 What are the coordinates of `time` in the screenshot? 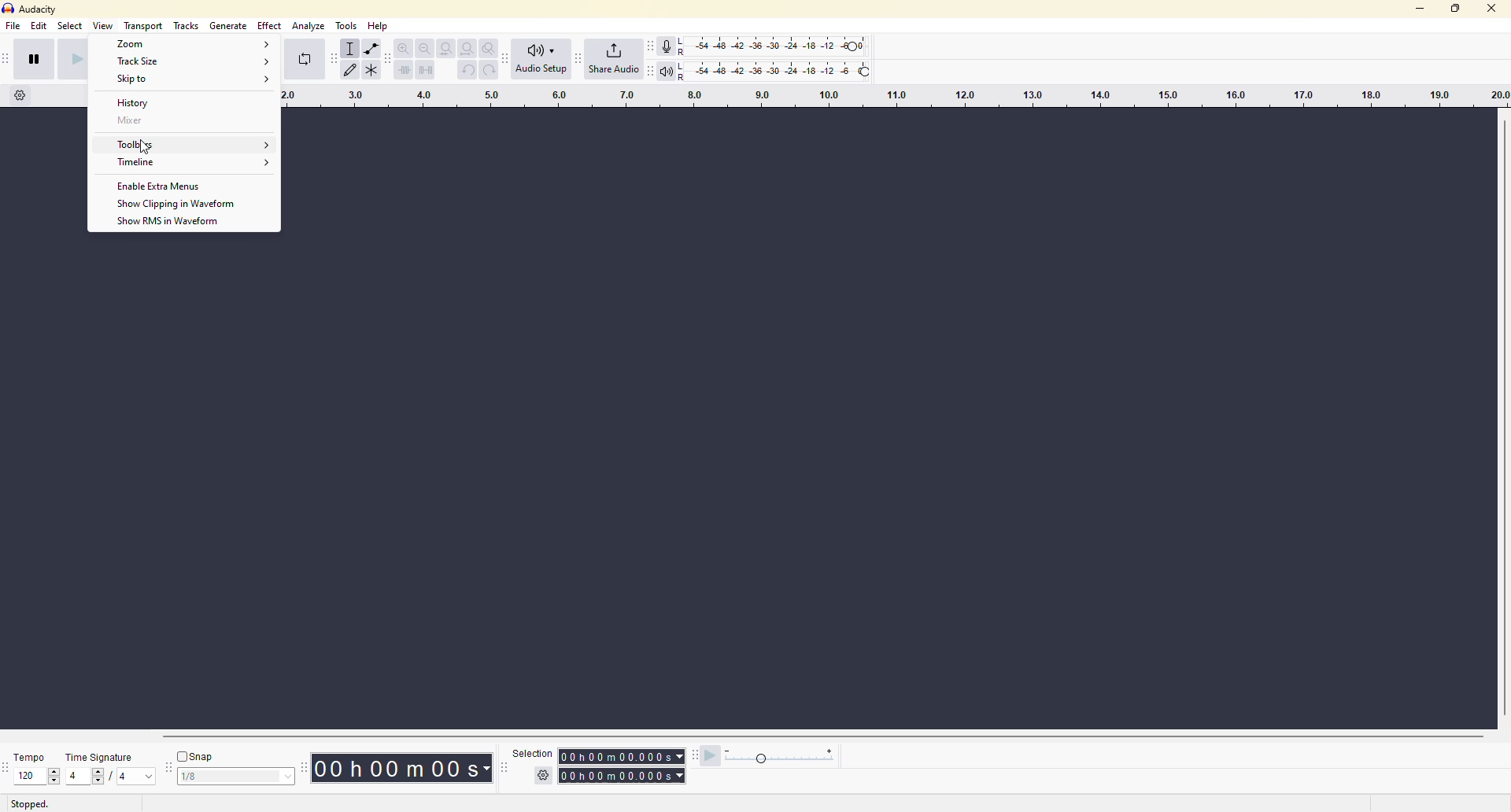 It's located at (404, 766).